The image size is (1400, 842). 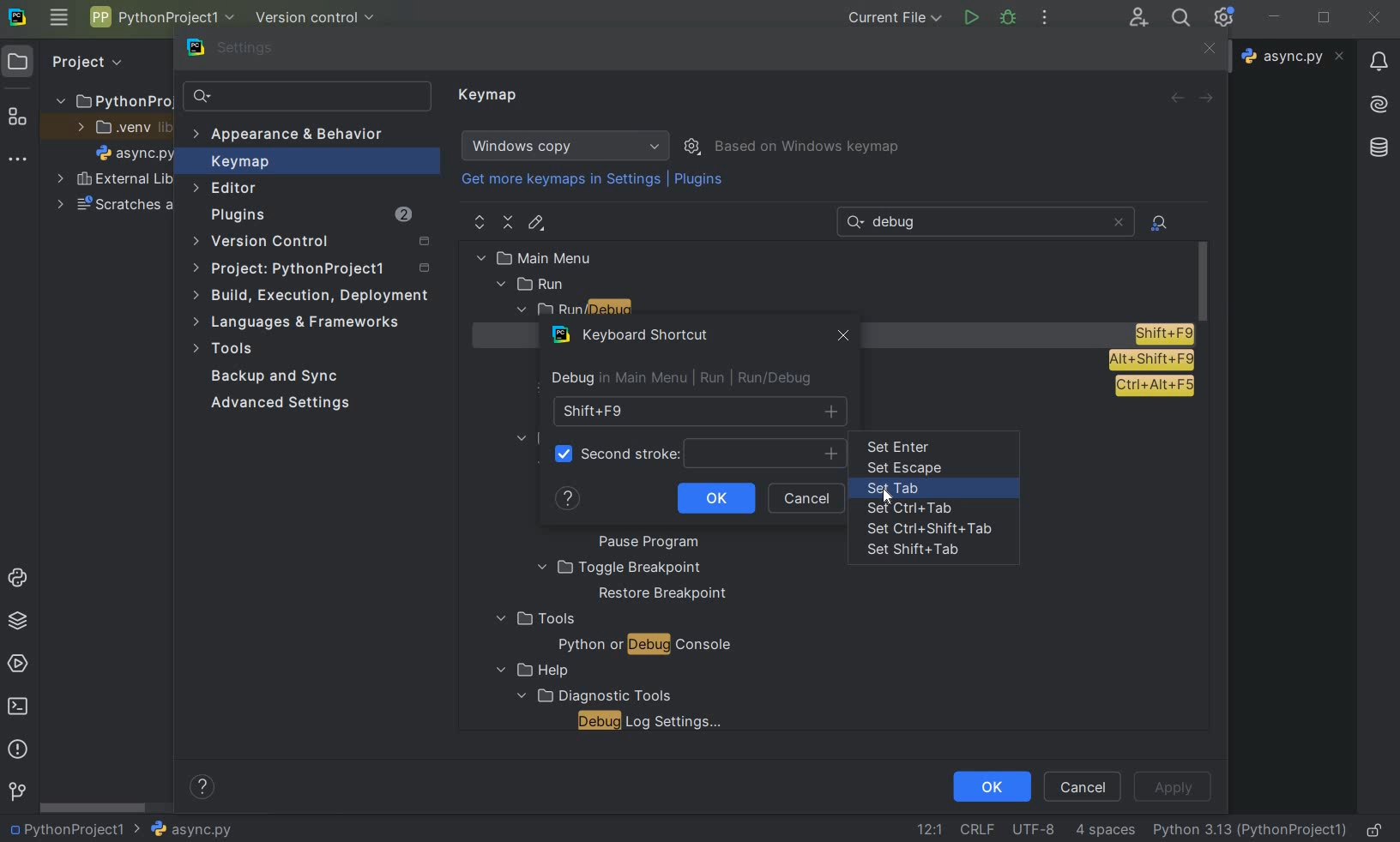 What do you see at coordinates (1044, 19) in the screenshot?
I see `more actions` at bounding box center [1044, 19].